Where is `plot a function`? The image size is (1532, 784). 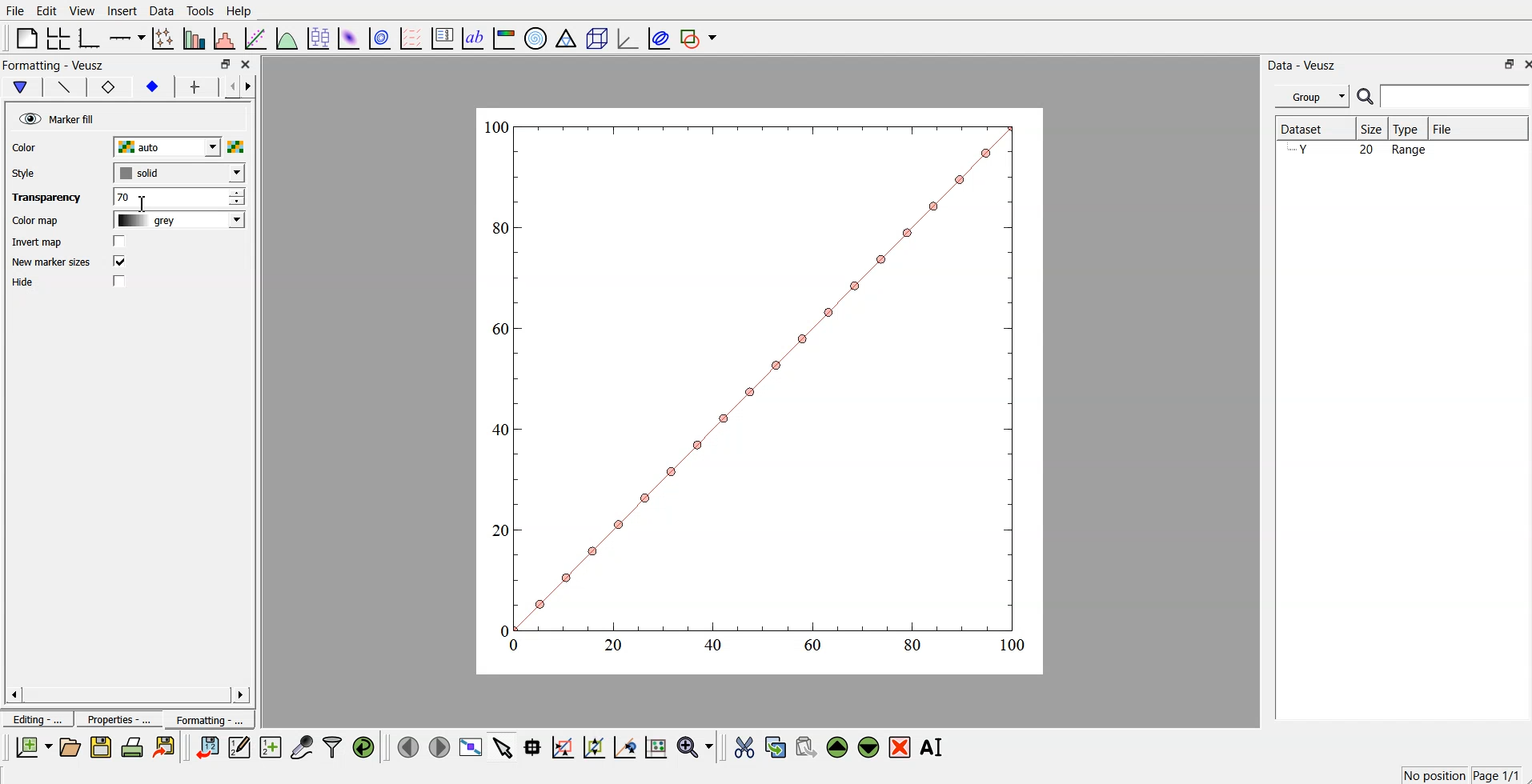
plot a function is located at coordinates (287, 38).